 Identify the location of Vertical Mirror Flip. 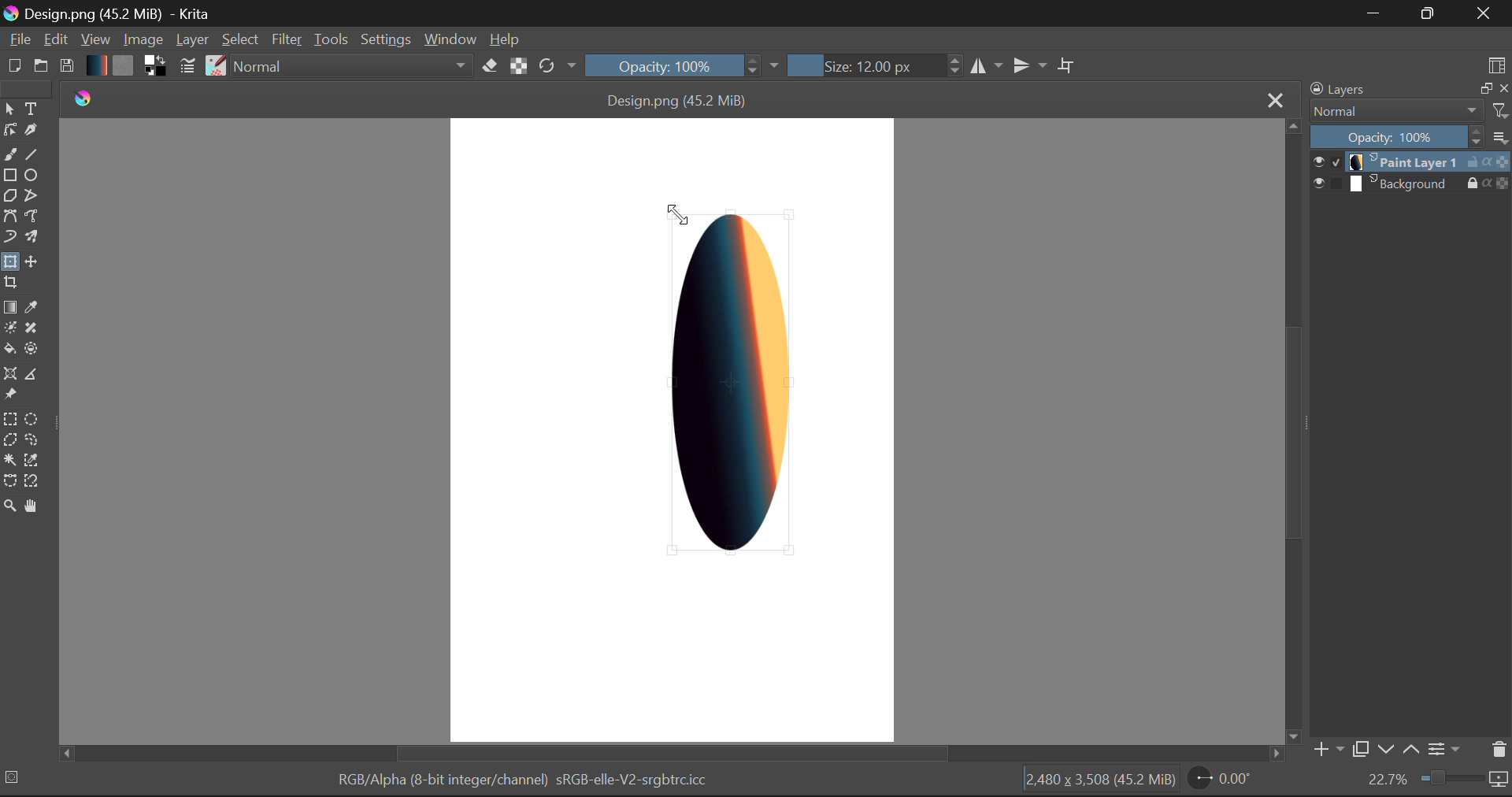
(986, 65).